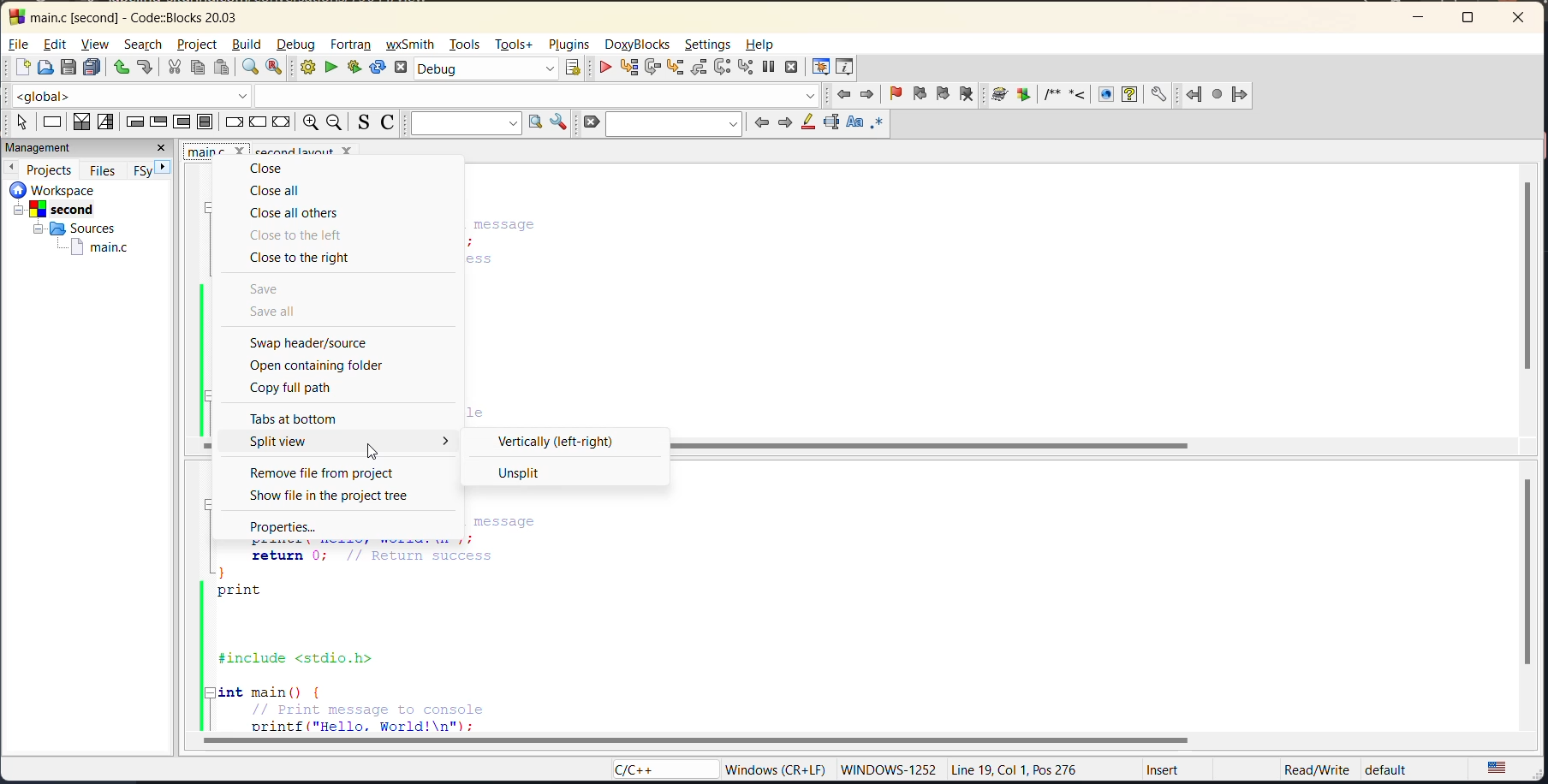 This screenshot has width=1548, height=784. What do you see at coordinates (247, 68) in the screenshot?
I see `find` at bounding box center [247, 68].